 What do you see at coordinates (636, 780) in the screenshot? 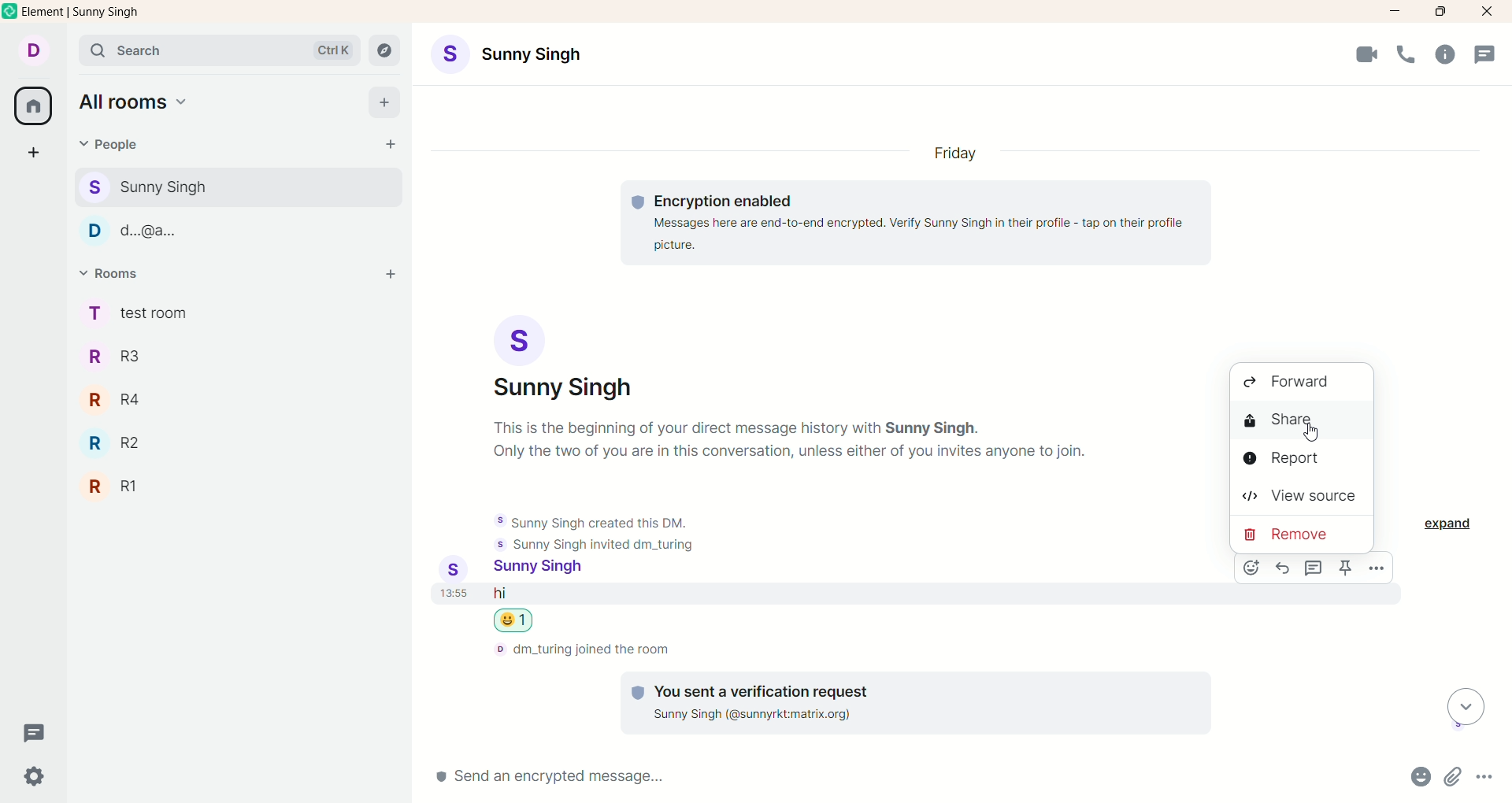
I see `send message` at bounding box center [636, 780].